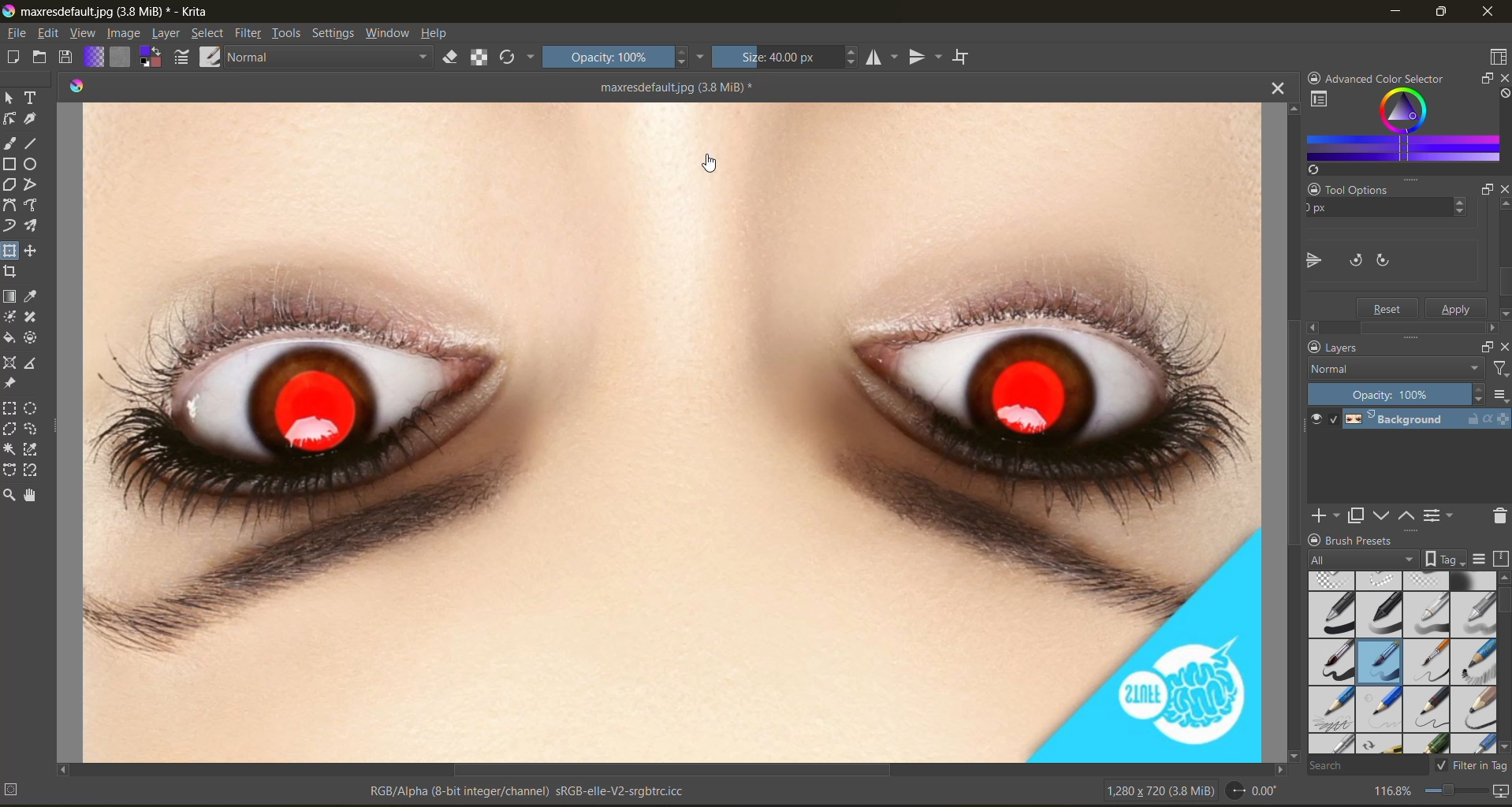 Image resolution: width=1512 pixels, height=807 pixels. What do you see at coordinates (185, 59) in the screenshot?
I see `edit brush settings` at bounding box center [185, 59].